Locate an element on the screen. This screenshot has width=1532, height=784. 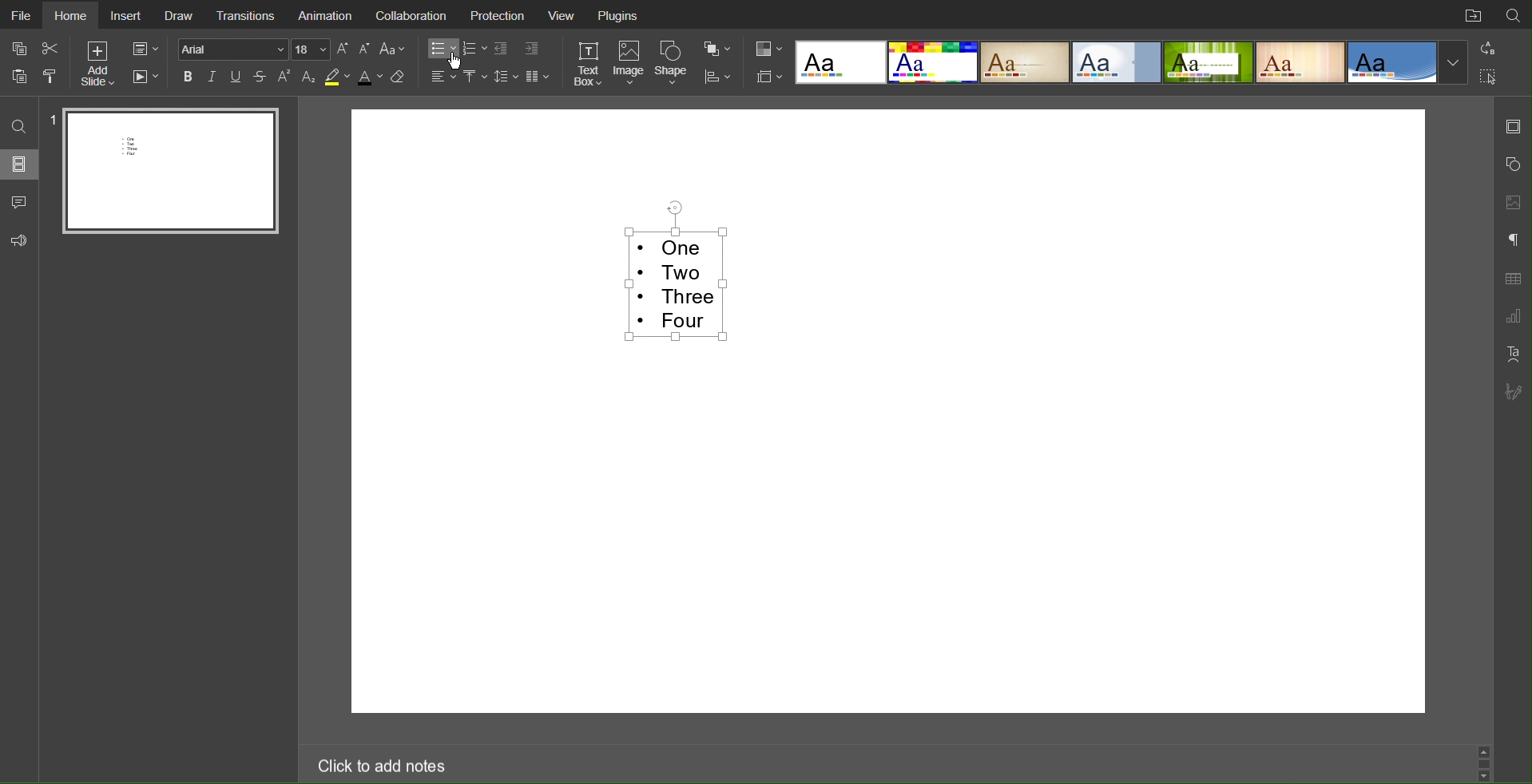
Bullet List is located at coordinates (444, 49).